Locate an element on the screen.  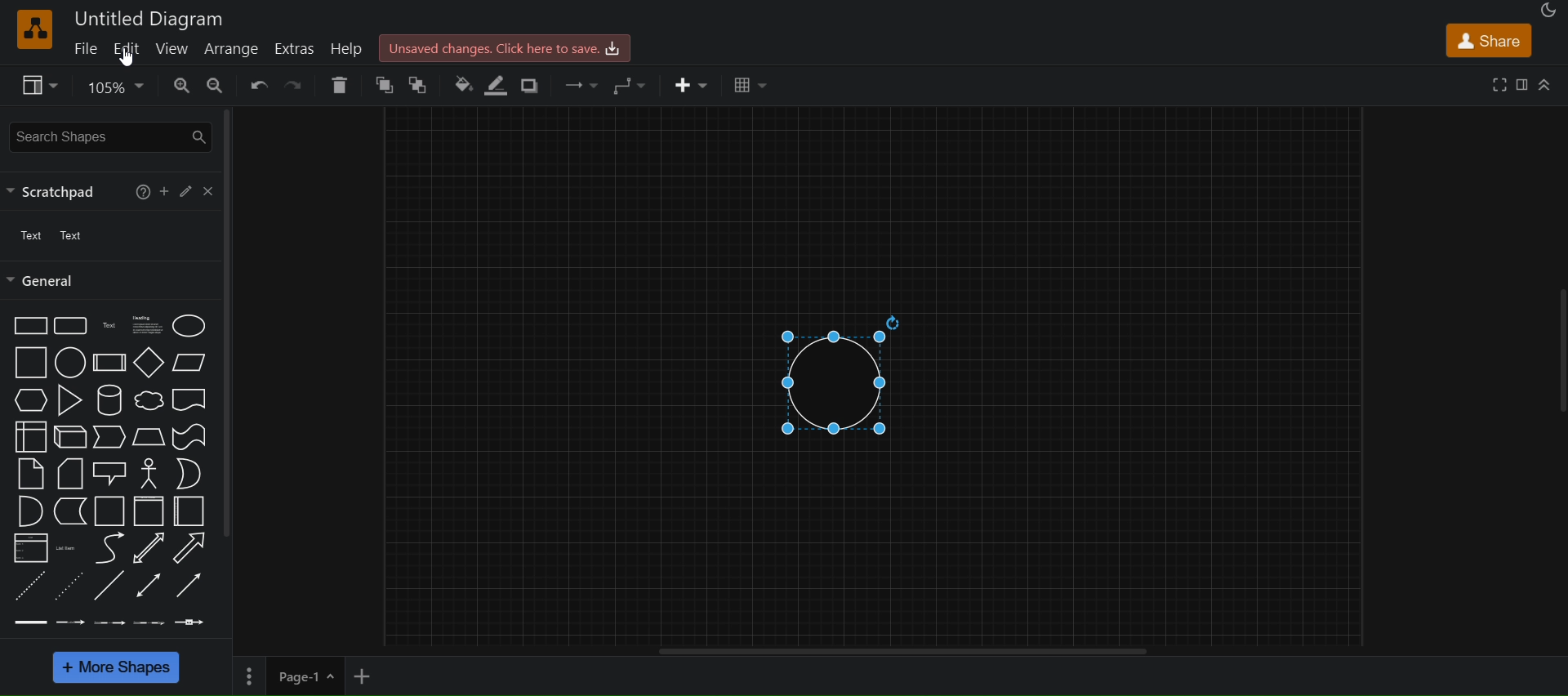
add new page is located at coordinates (375, 675).